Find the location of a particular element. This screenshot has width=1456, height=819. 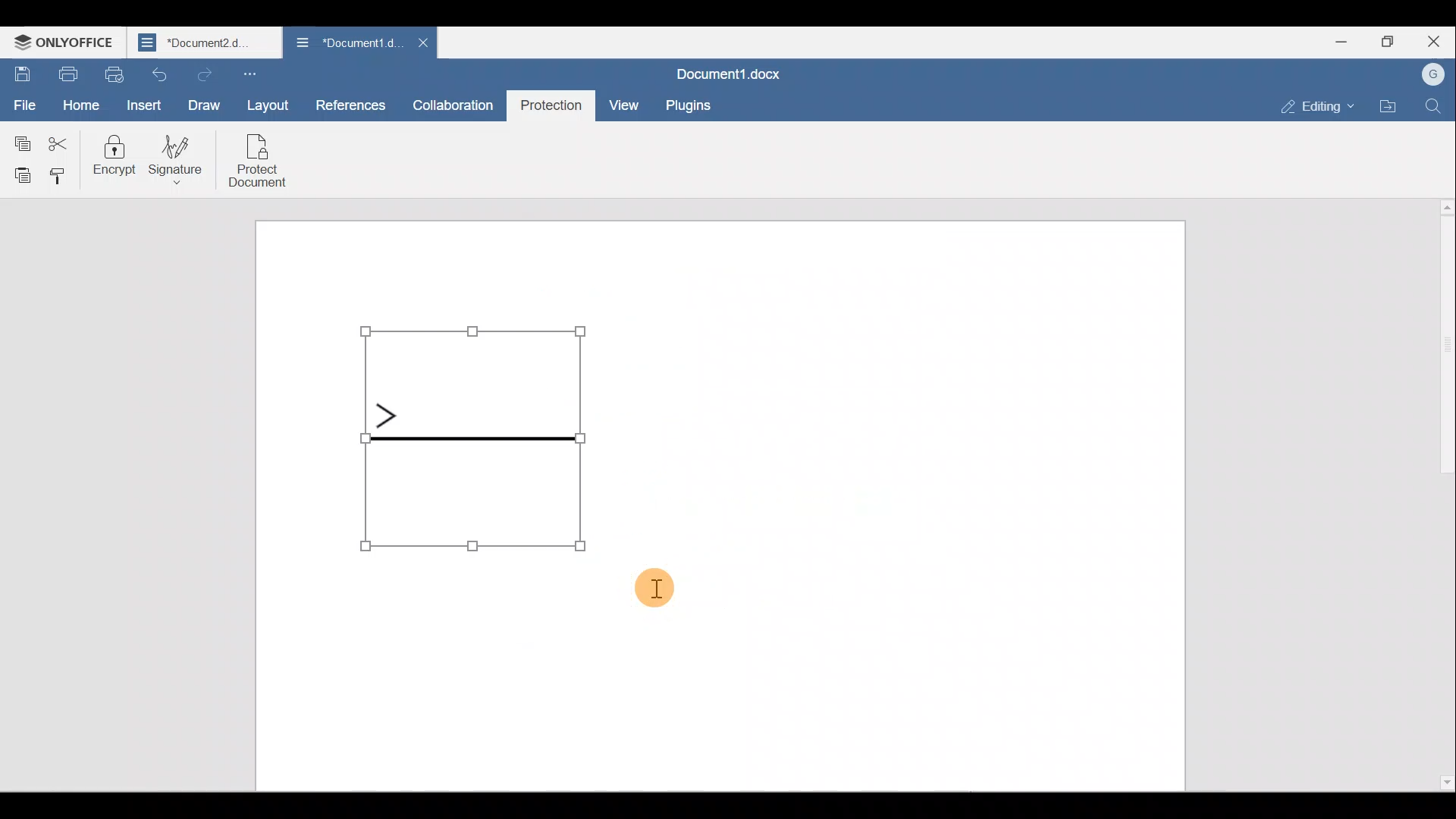

Plugins is located at coordinates (688, 105).